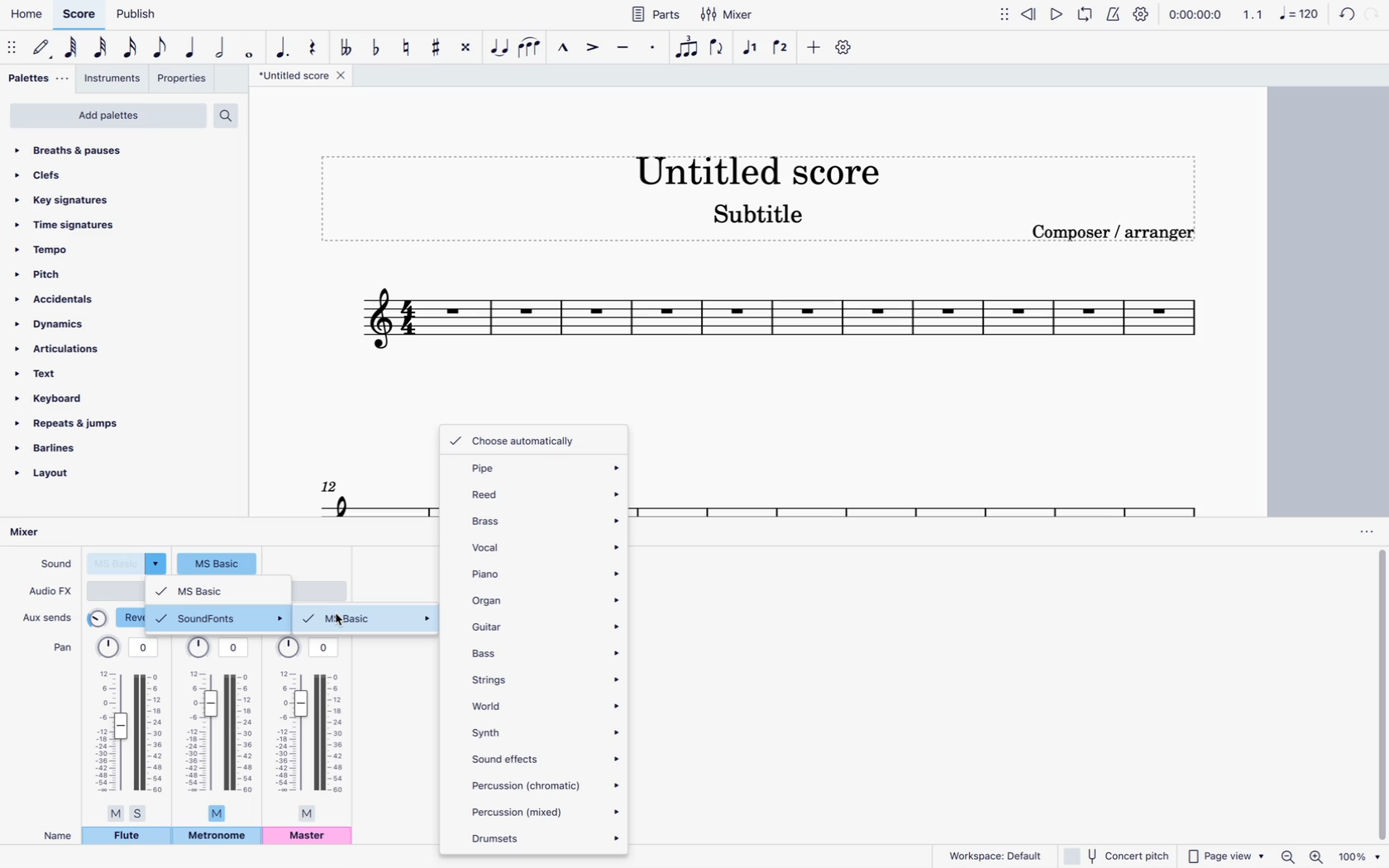 The width and height of the screenshot is (1389, 868). Describe the element at coordinates (1372, 16) in the screenshot. I see `forward` at that location.